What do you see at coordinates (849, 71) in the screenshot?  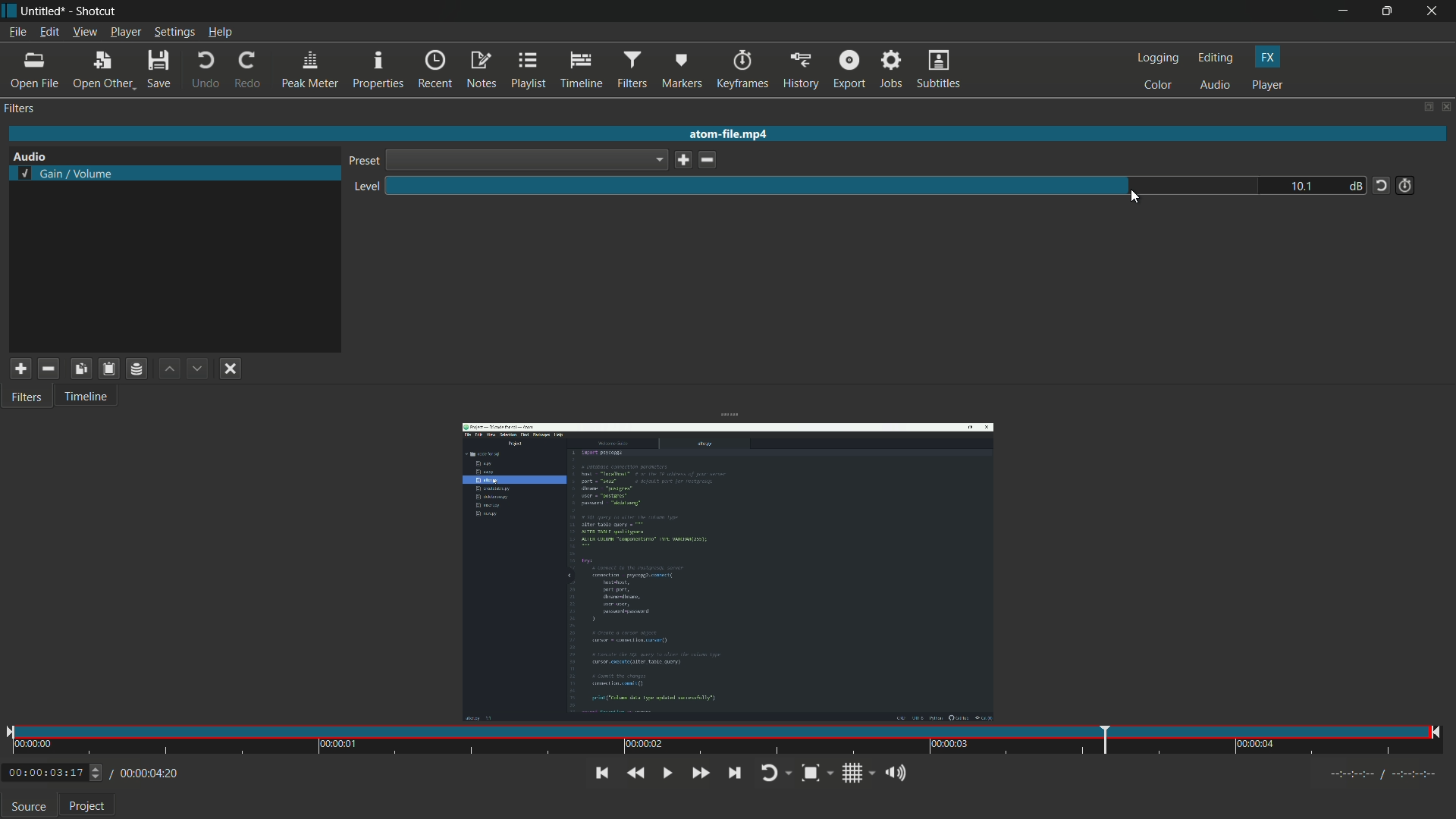 I see `export` at bounding box center [849, 71].